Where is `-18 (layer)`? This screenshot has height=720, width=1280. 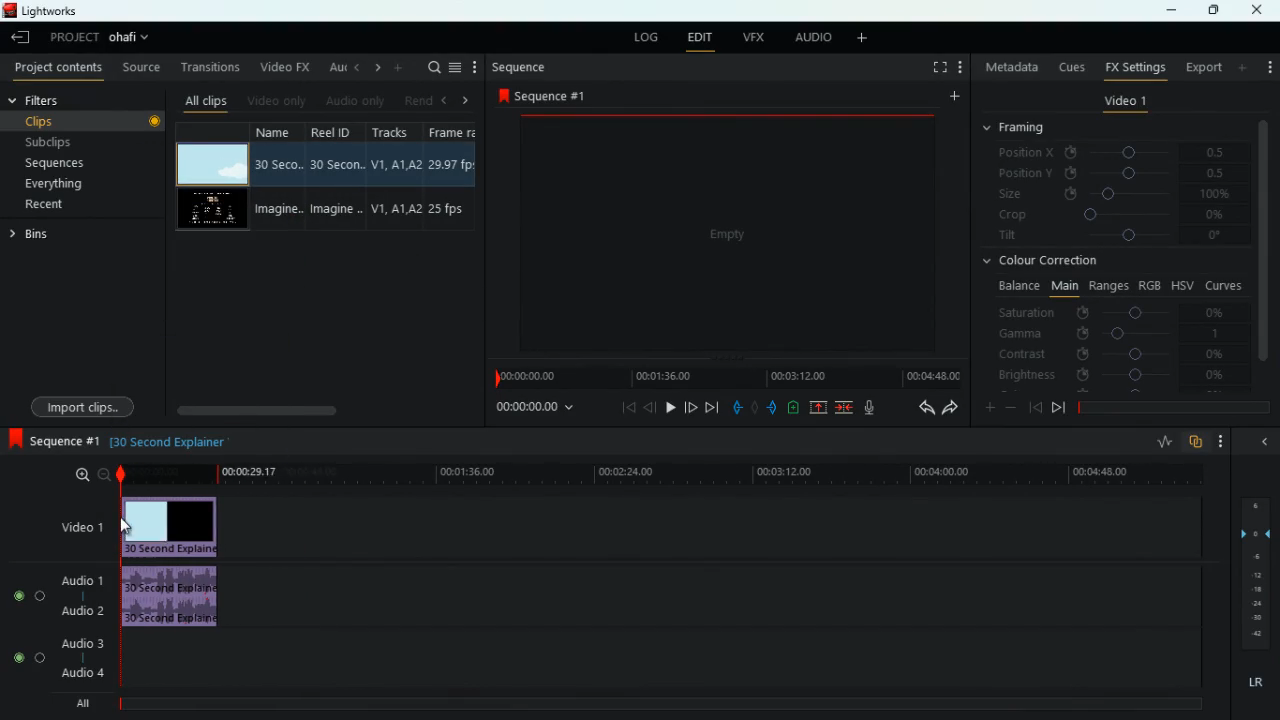
-18 (layer) is located at coordinates (1257, 590).